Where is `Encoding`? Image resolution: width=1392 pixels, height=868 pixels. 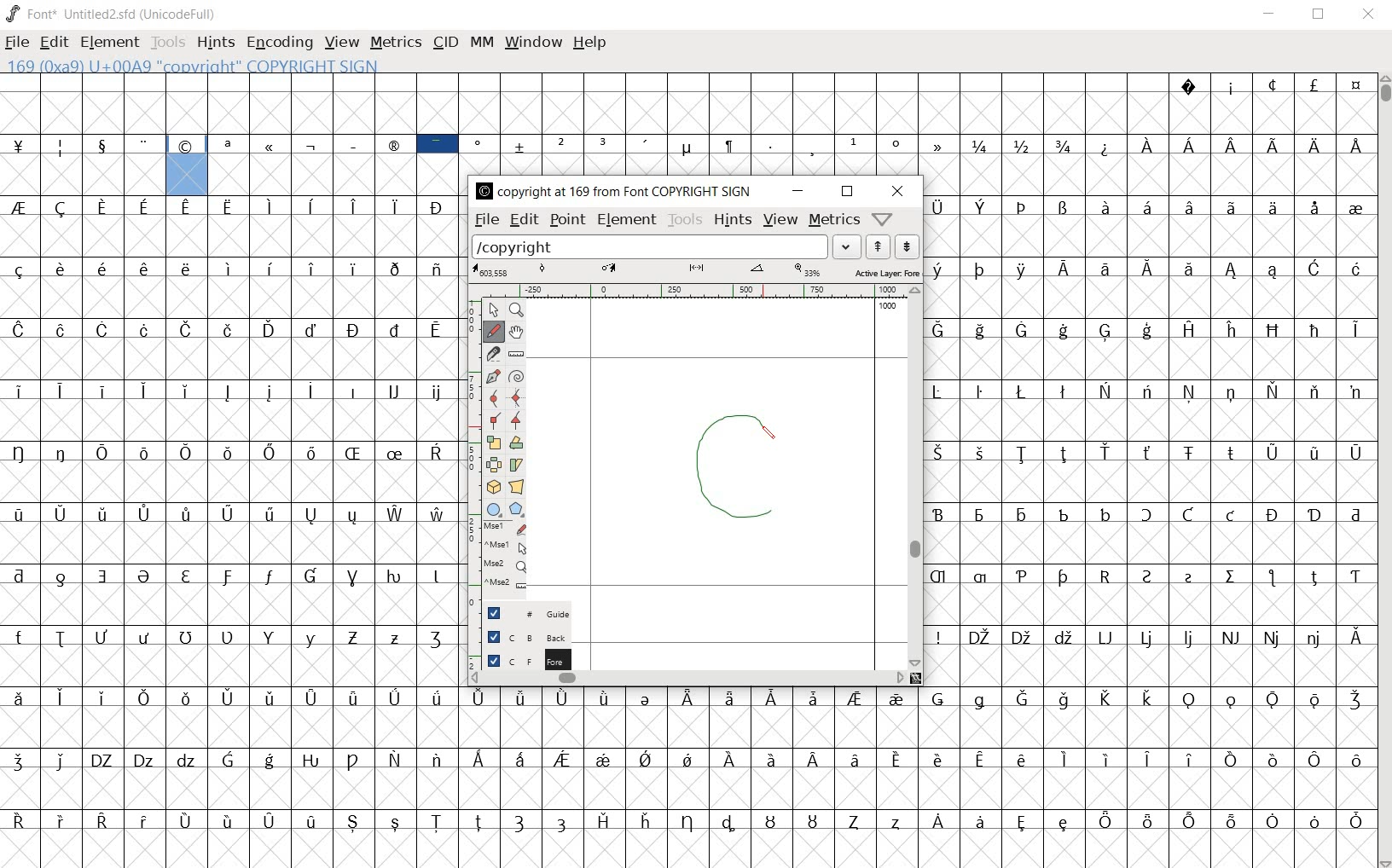 Encoding is located at coordinates (279, 43).